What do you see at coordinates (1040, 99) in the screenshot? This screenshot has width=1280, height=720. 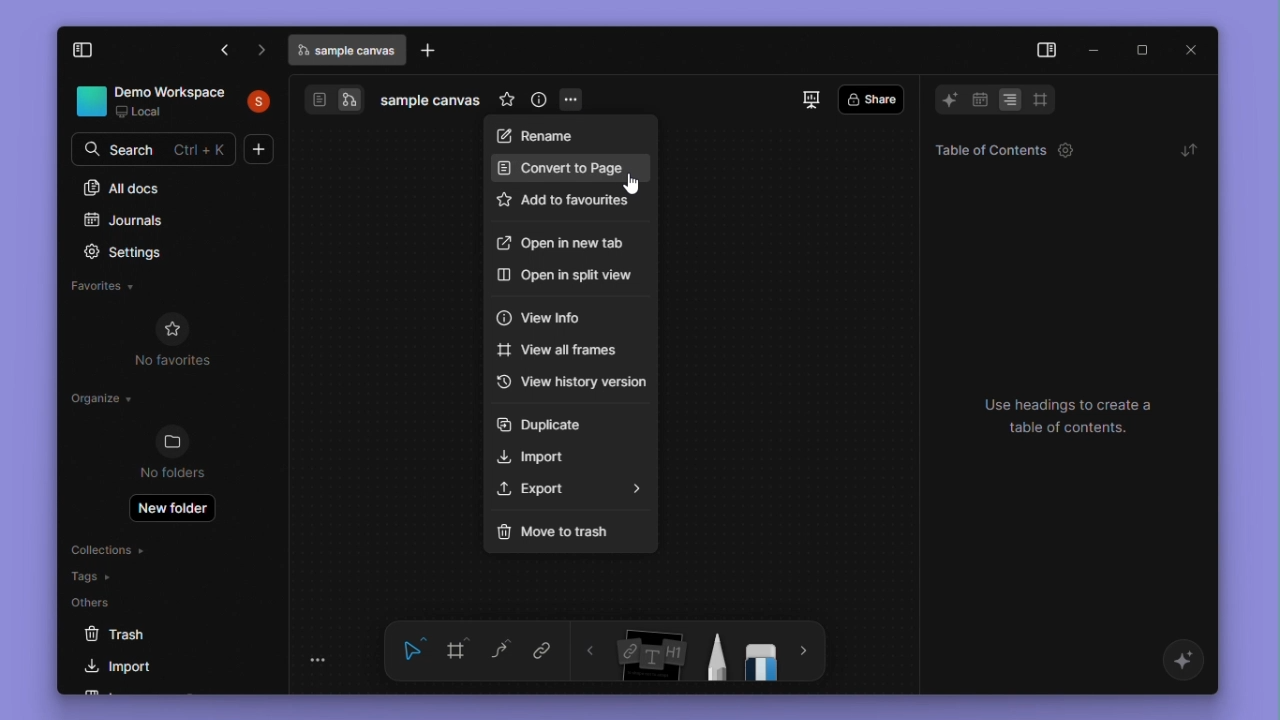 I see `Frames` at bounding box center [1040, 99].